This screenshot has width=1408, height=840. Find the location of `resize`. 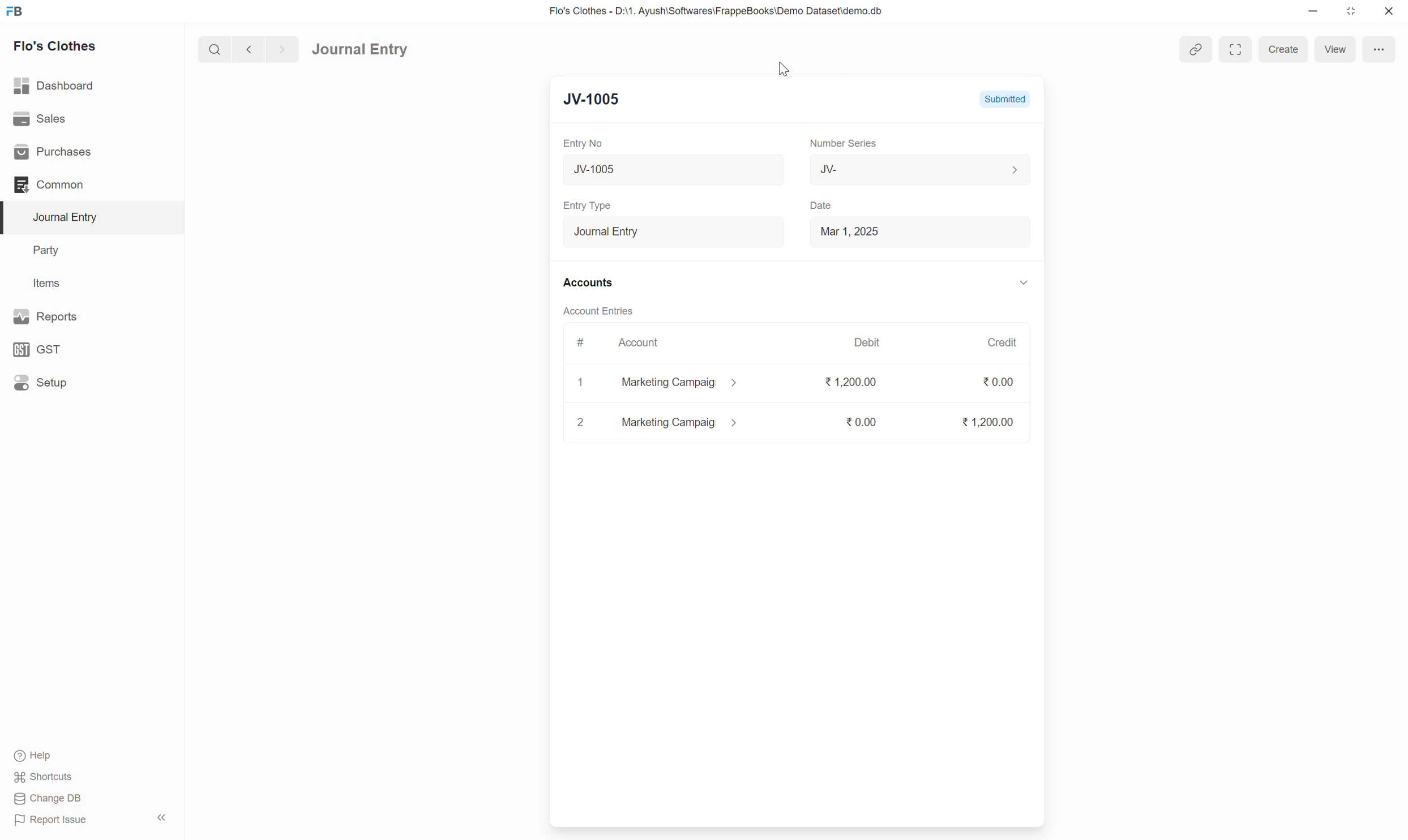

resize is located at coordinates (1349, 11).